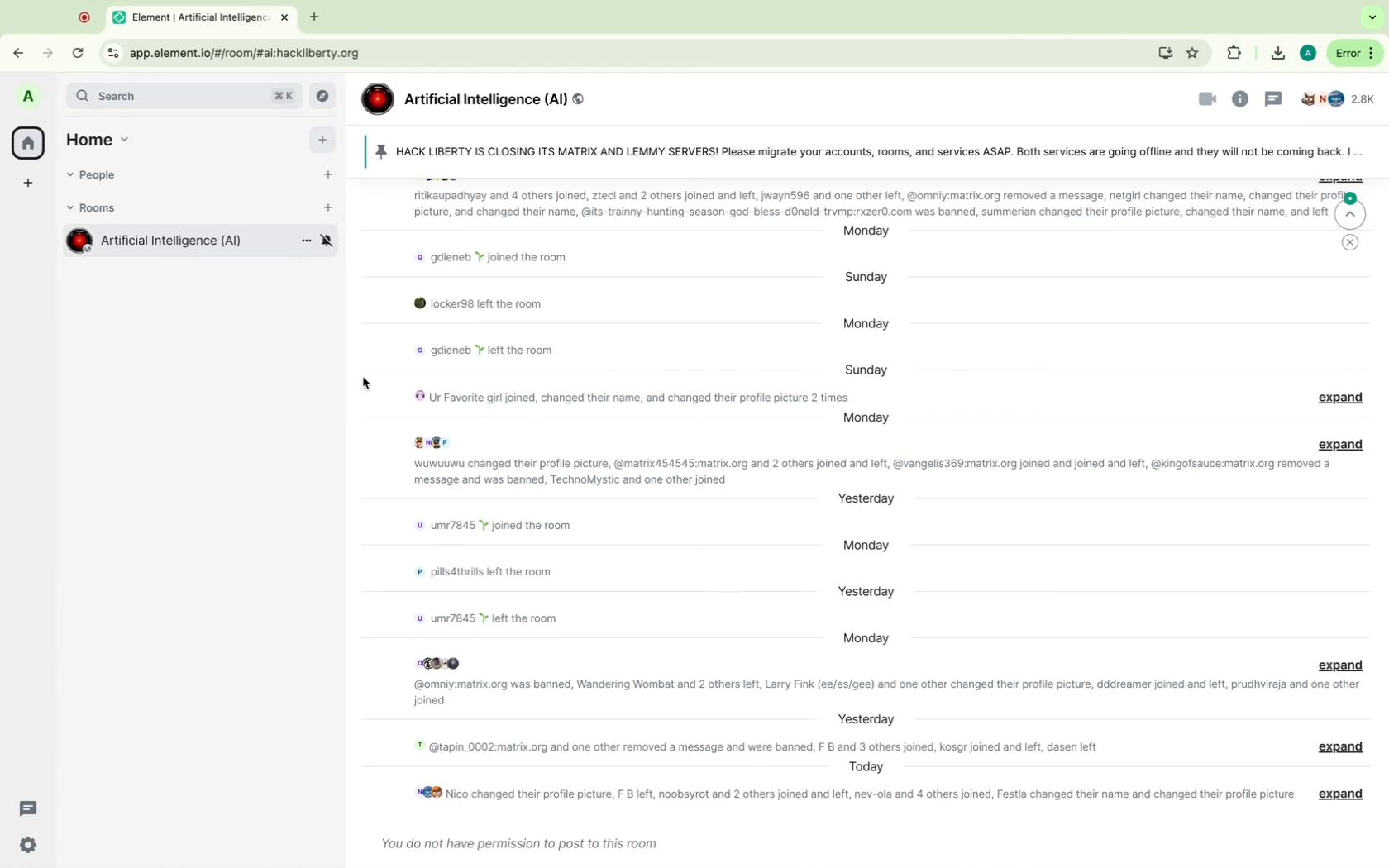 The image size is (1389, 868). Describe the element at coordinates (1243, 98) in the screenshot. I see `informations` at that location.